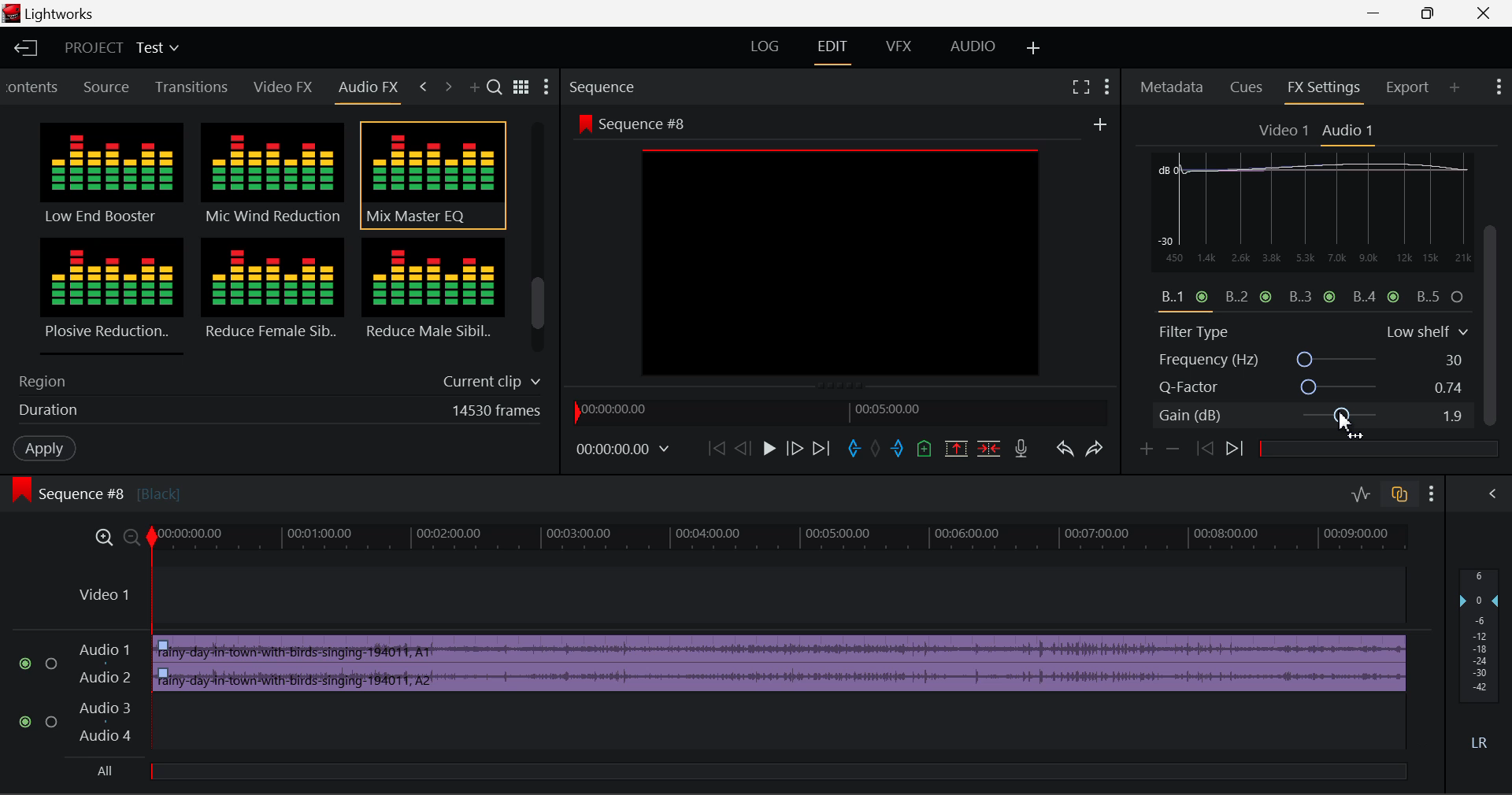 Image resolution: width=1512 pixels, height=795 pixels. Describe the element at coordinates (783, 539) in the screenshot. I see `Project Timeline` at that location.